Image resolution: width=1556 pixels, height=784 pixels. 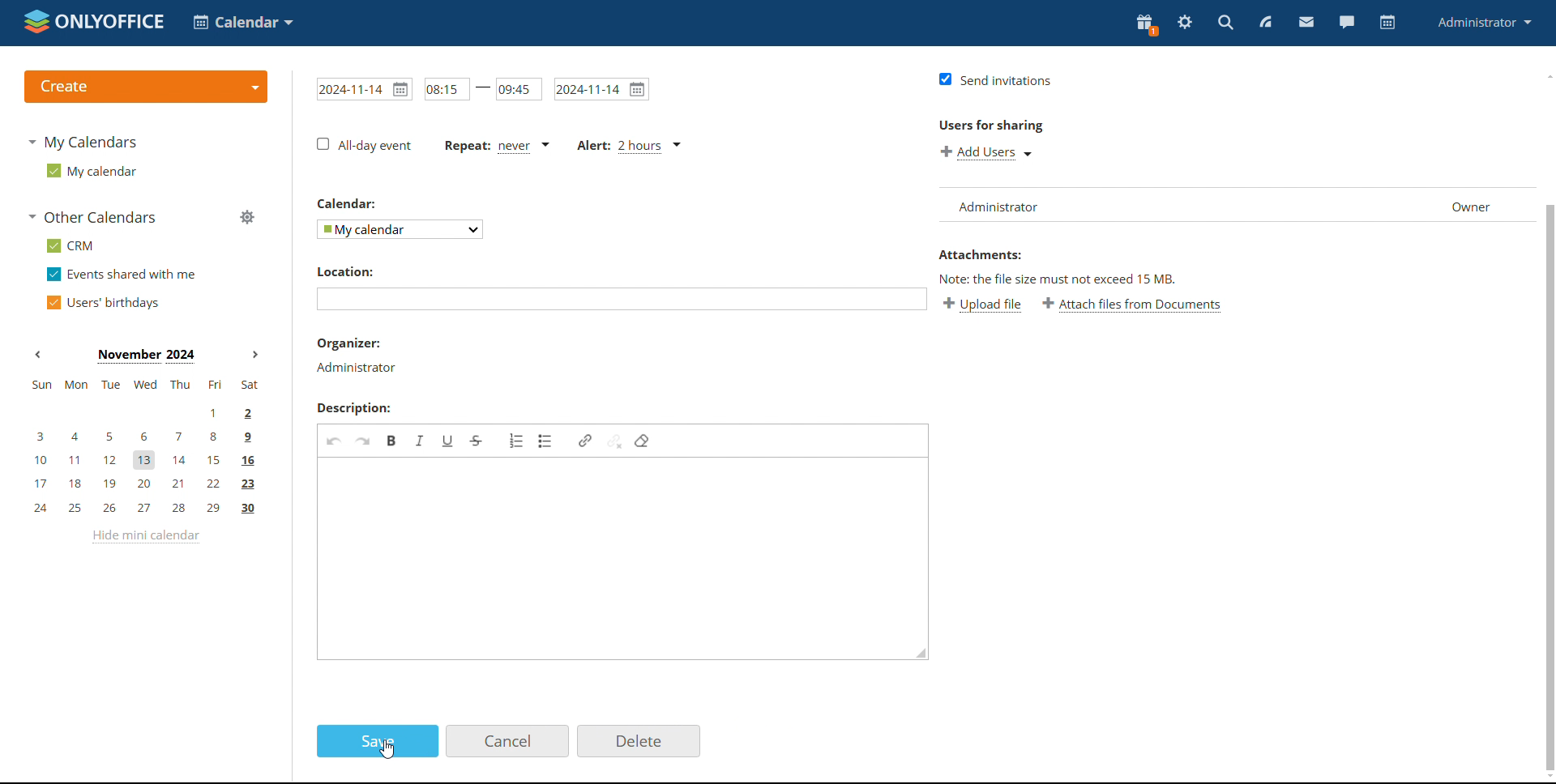 I want to click on other calendars, so click(x=90, y=217).